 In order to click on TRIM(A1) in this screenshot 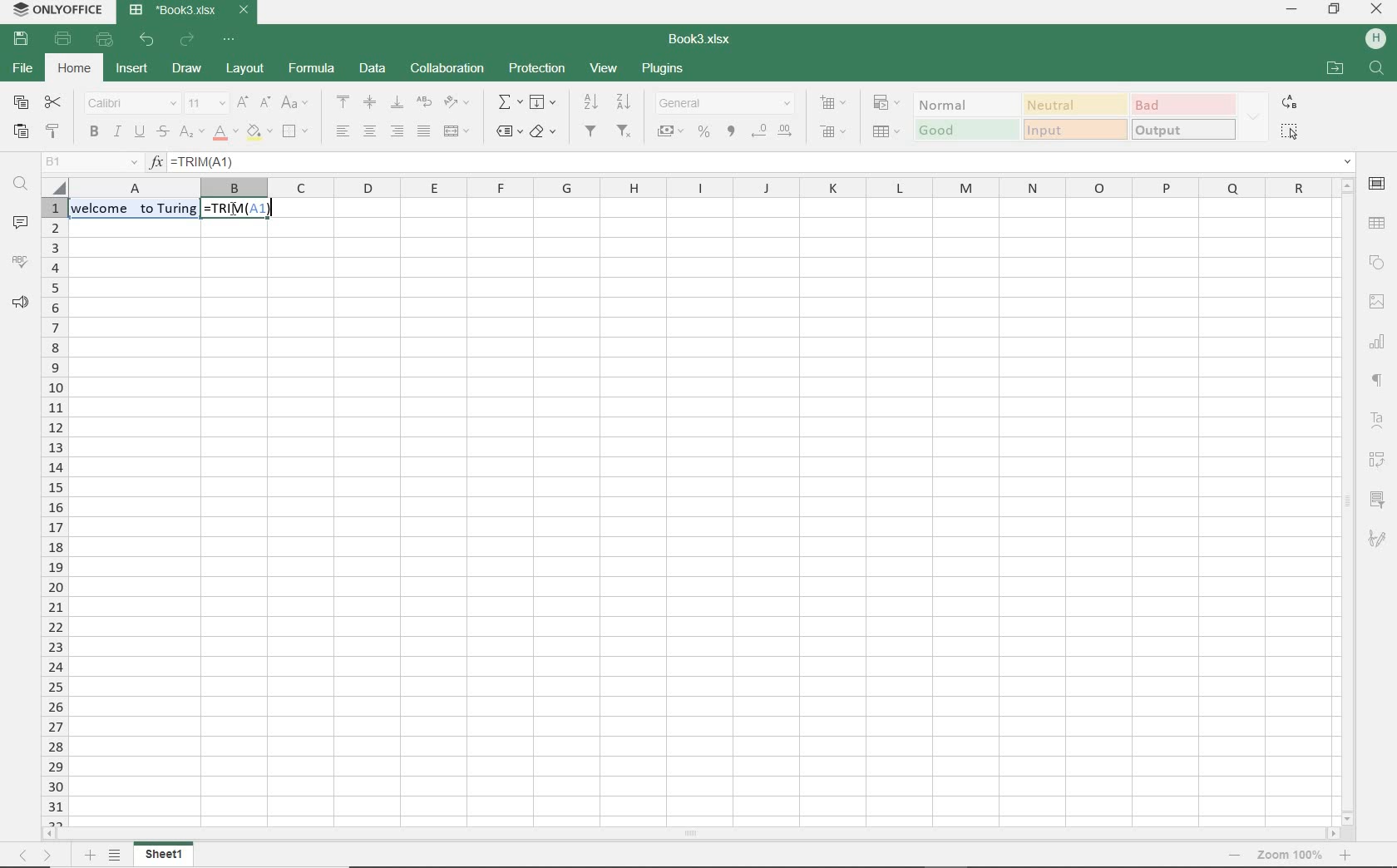, I will do `click(201, 162)`.